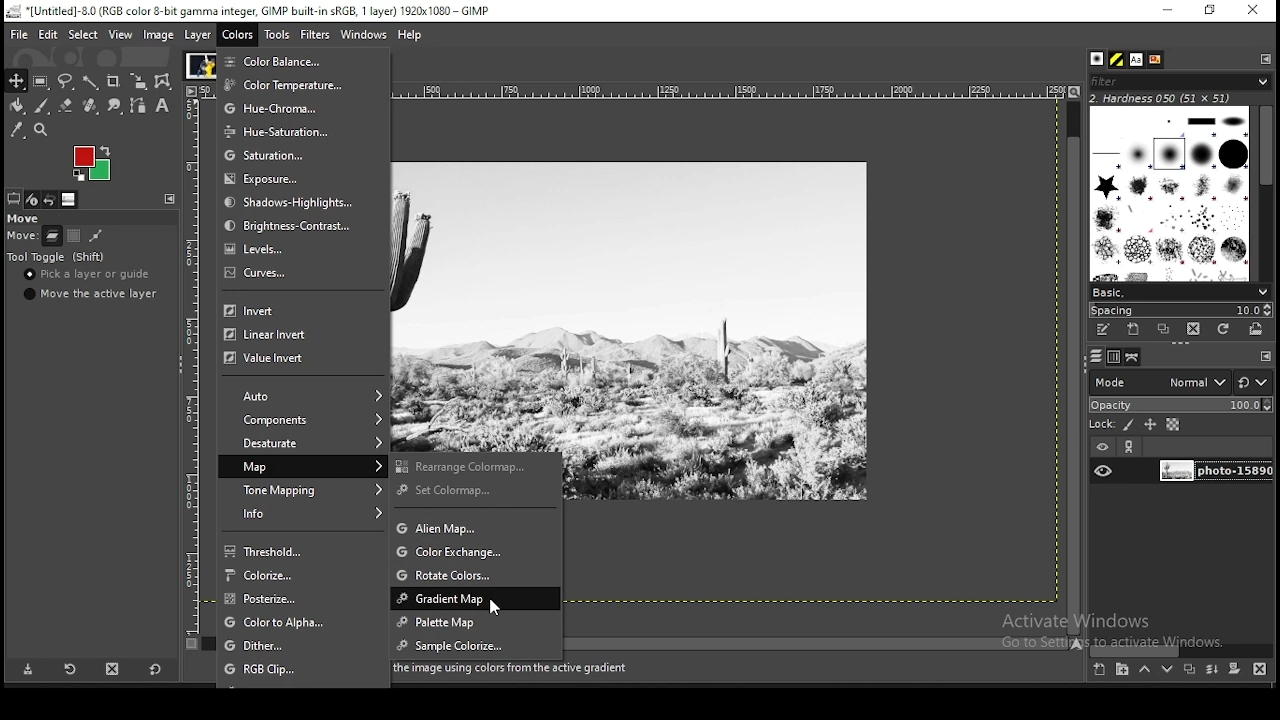  I want to click on hue saturation, so click(286, 131).